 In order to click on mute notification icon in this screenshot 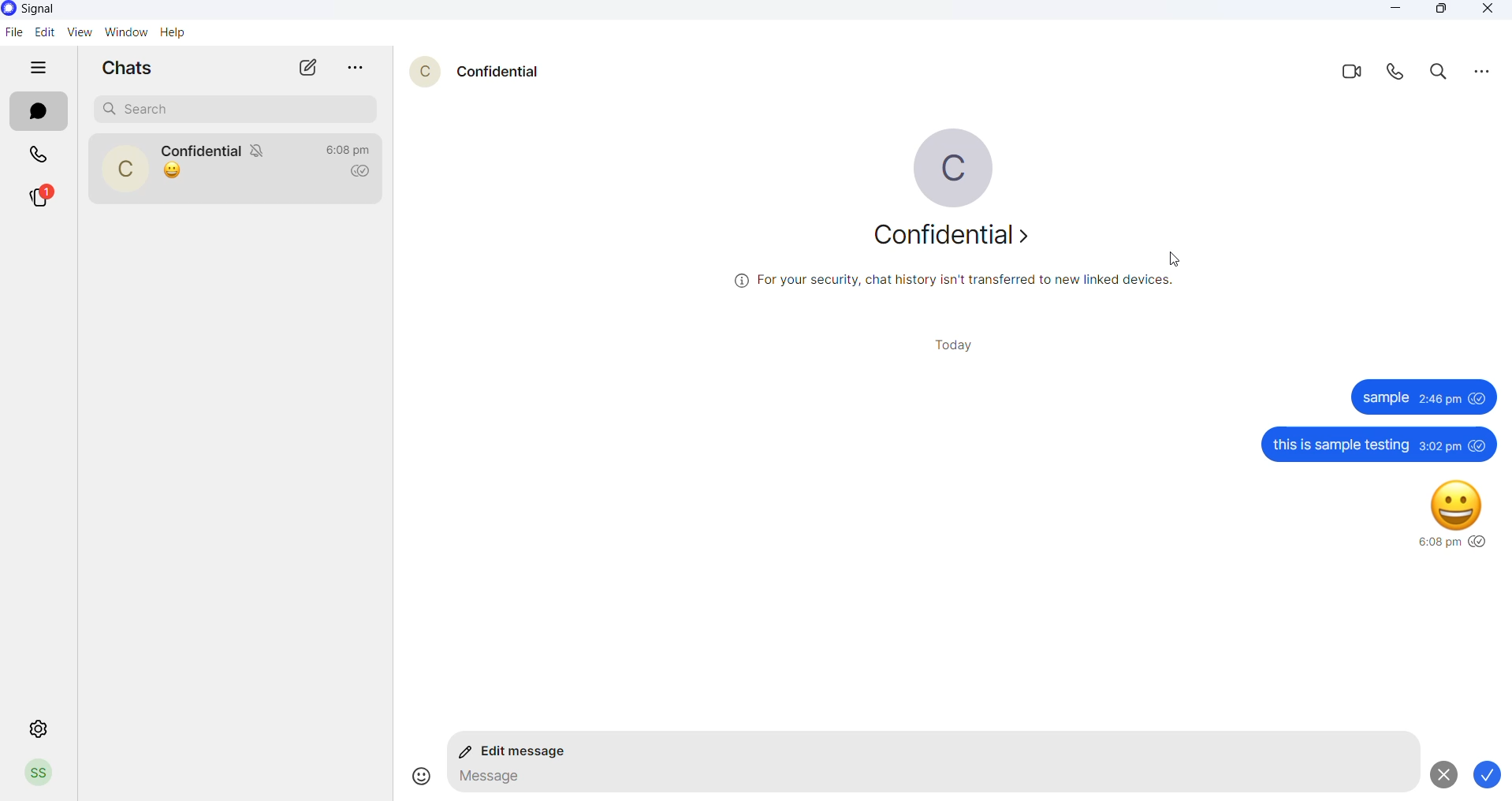, I will do `click(263, 152)`.